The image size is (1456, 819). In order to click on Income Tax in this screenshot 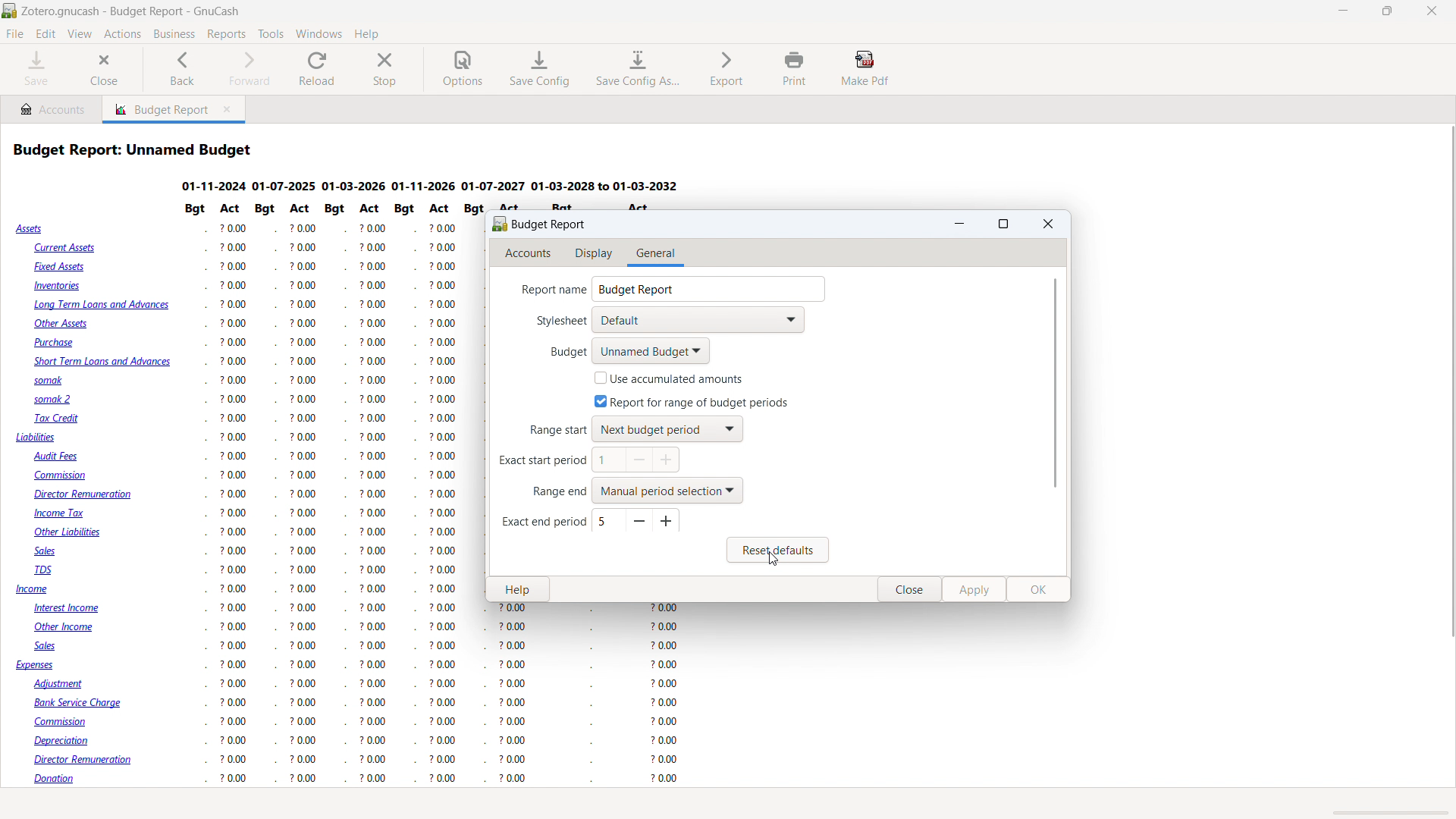, I will do `click(61, 513)`.